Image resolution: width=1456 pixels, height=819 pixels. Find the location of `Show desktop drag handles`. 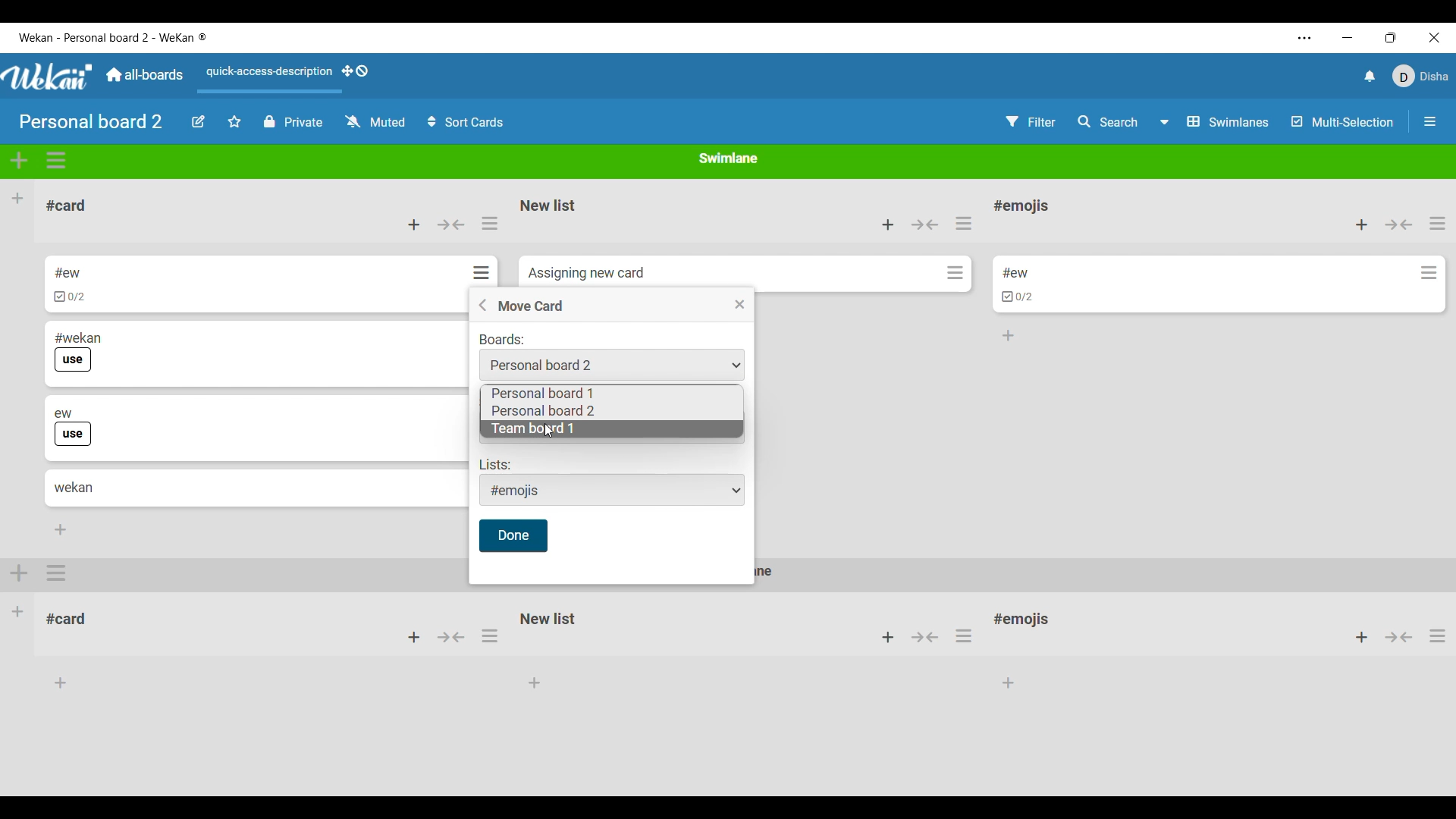

Show desktop drag handles is located at coordinates (355, 71).